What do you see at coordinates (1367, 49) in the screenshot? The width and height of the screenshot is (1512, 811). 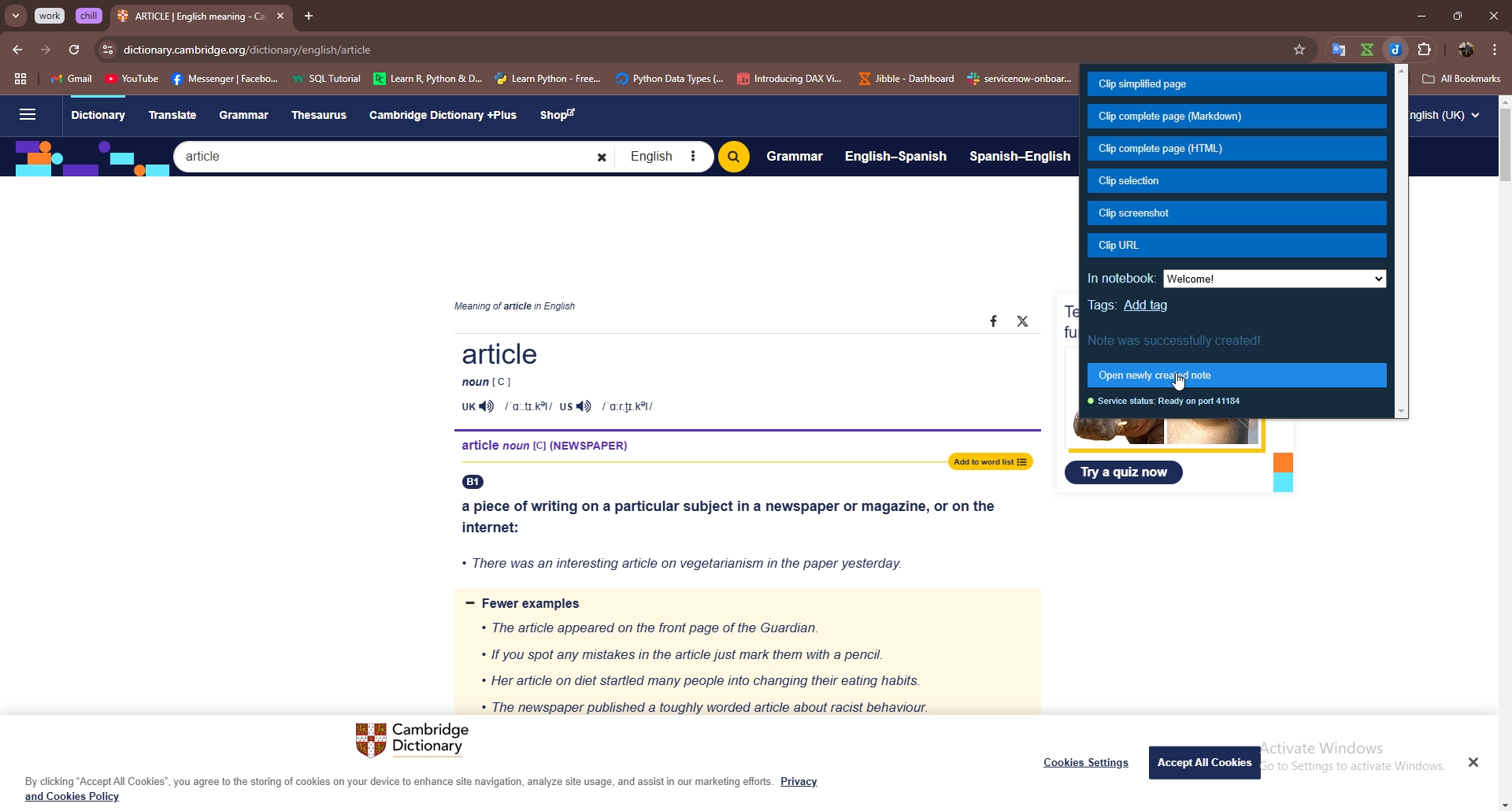 I see `extension` at bounding box center [1367, 49].